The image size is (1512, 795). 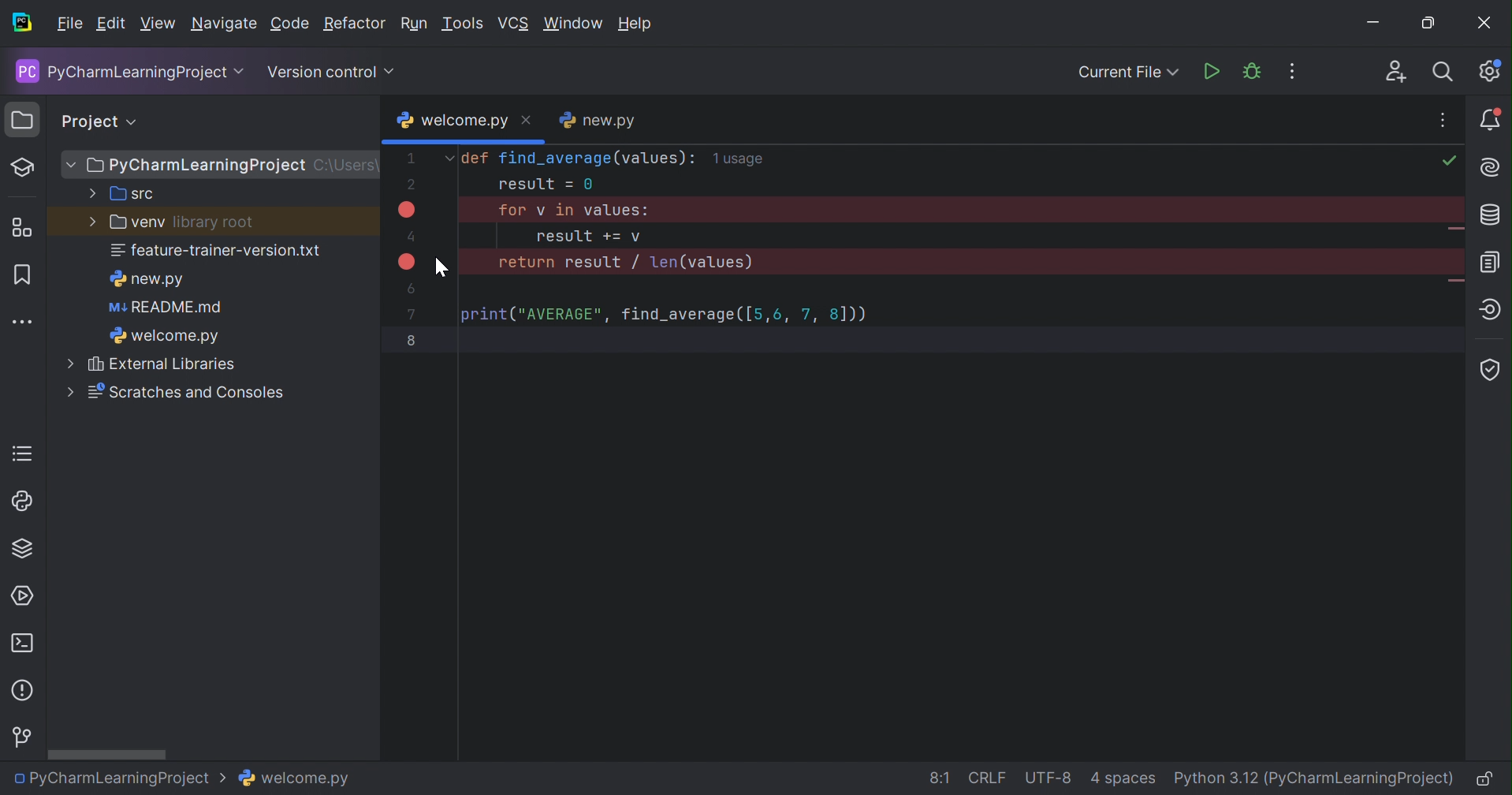 What do you see at coordinates (1427, 25) in the screenshot?
I see `Restore down` at bounding box center [1427, 25].